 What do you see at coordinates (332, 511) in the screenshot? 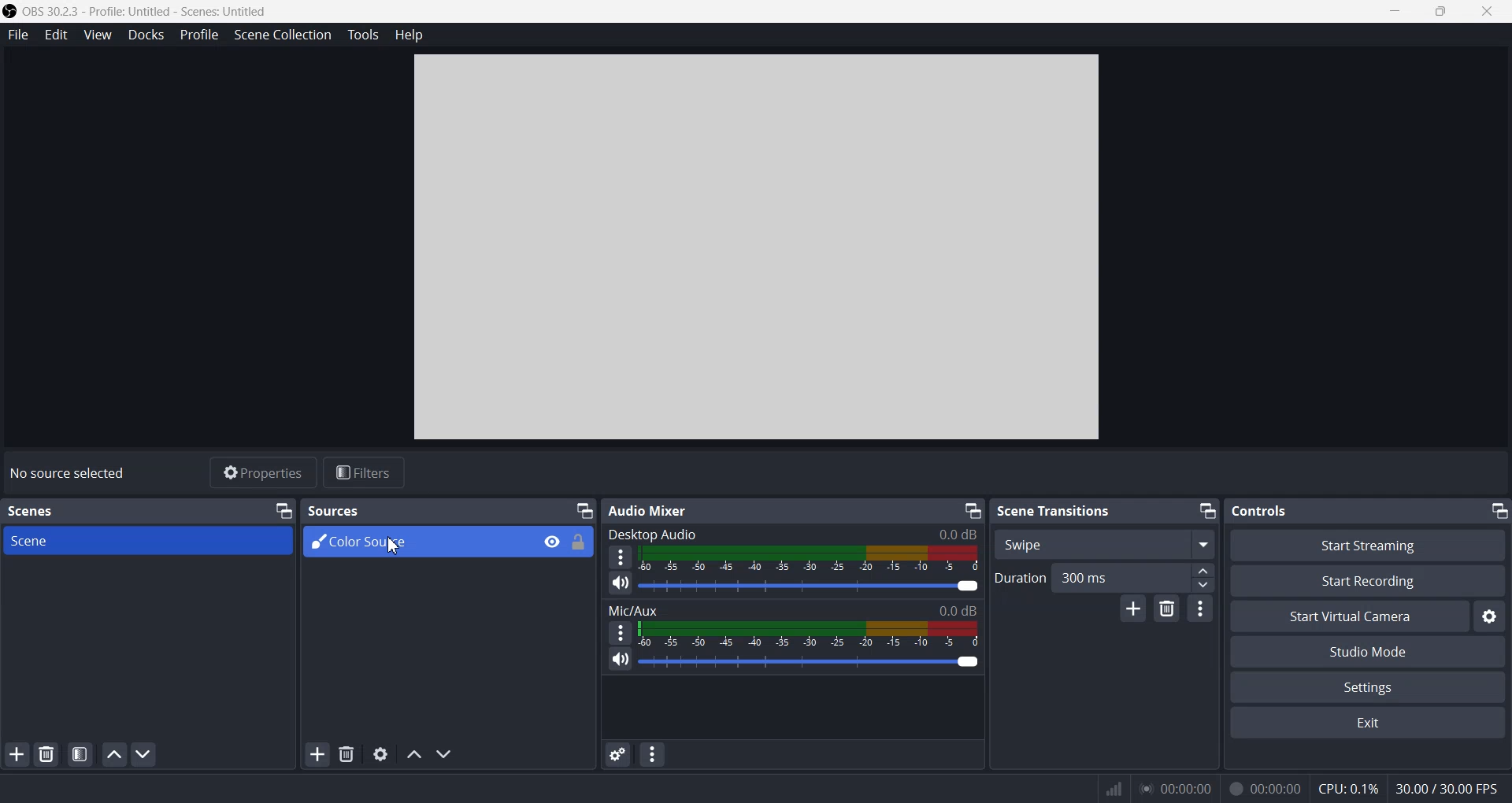
I see `Sources` at bounding box center [332, 511].